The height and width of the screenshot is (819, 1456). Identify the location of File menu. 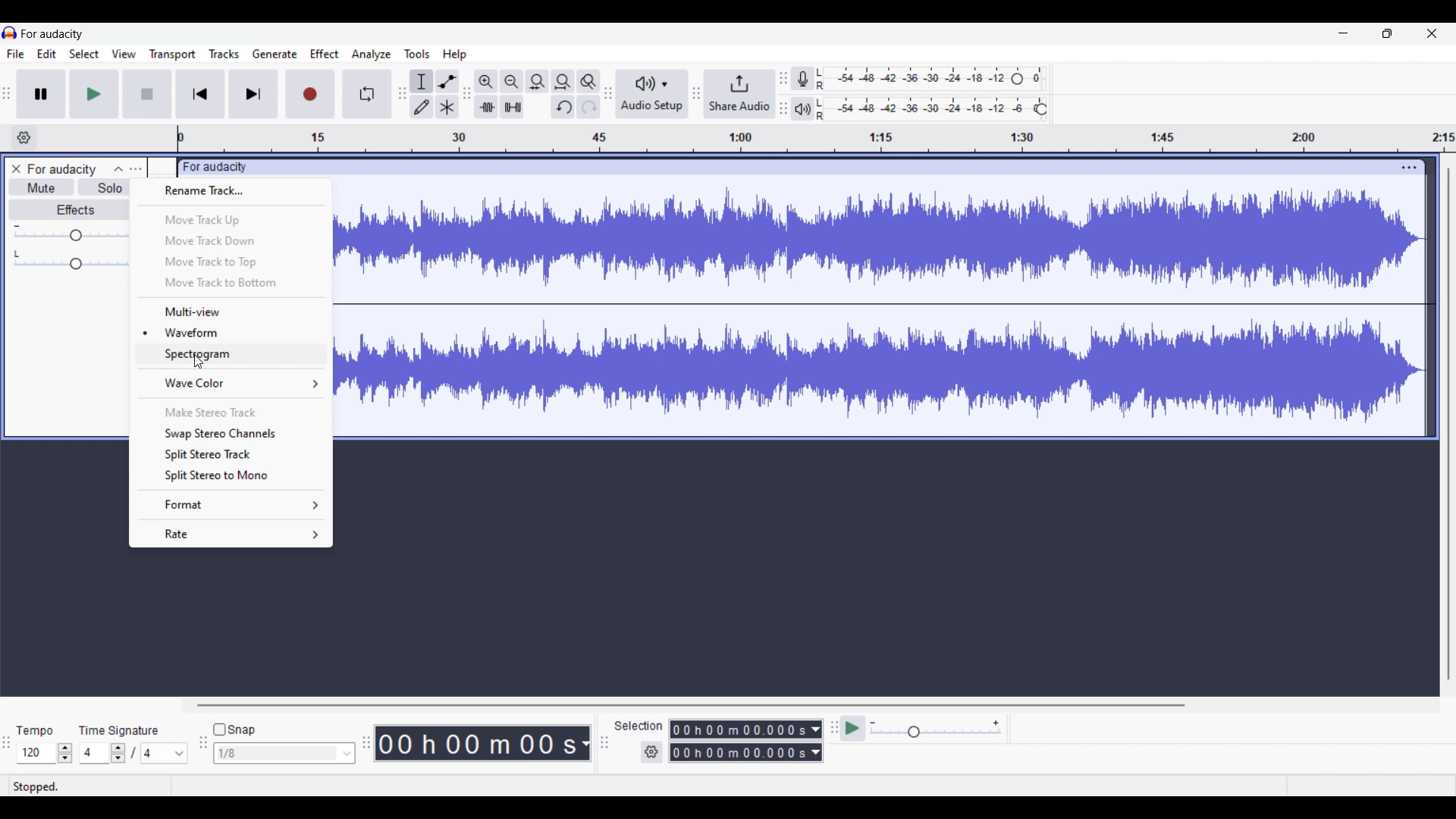
(16, 54).